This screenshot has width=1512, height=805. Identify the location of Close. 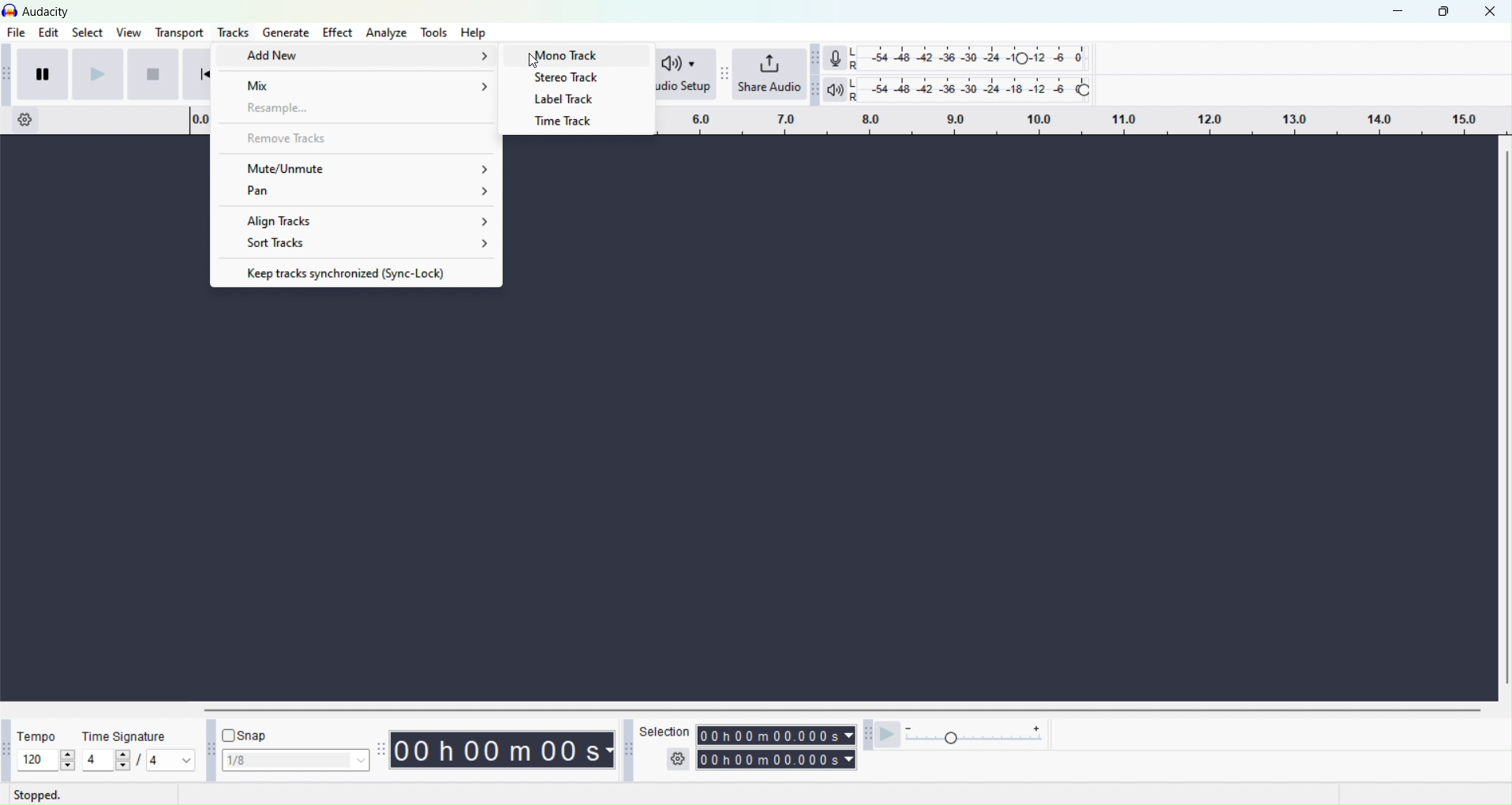
(1493, 12).